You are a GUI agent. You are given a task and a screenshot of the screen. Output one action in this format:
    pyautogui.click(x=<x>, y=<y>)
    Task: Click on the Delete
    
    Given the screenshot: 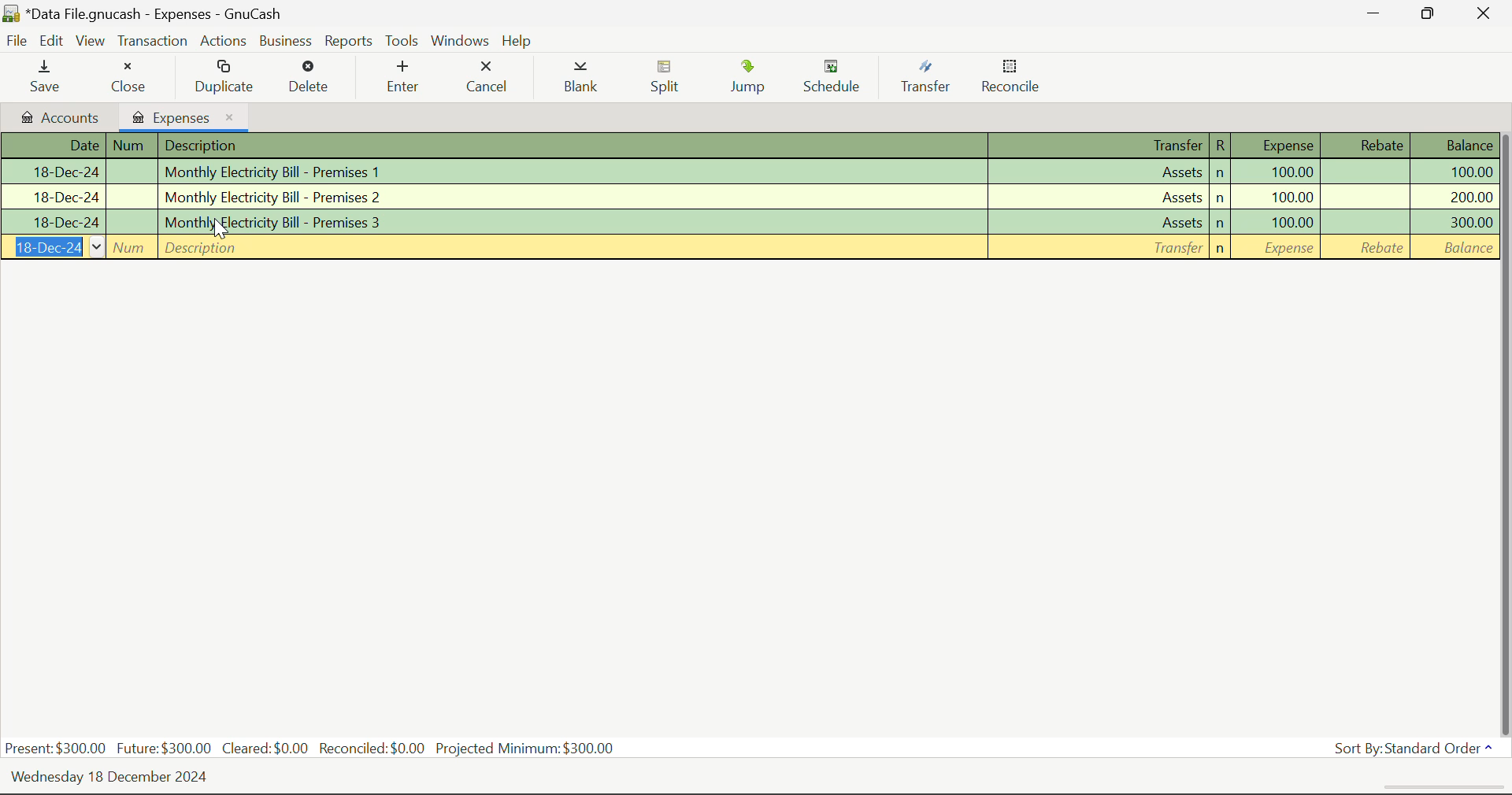 What is the action you would take?
    pyautogui.click(x=313, y=79)
    